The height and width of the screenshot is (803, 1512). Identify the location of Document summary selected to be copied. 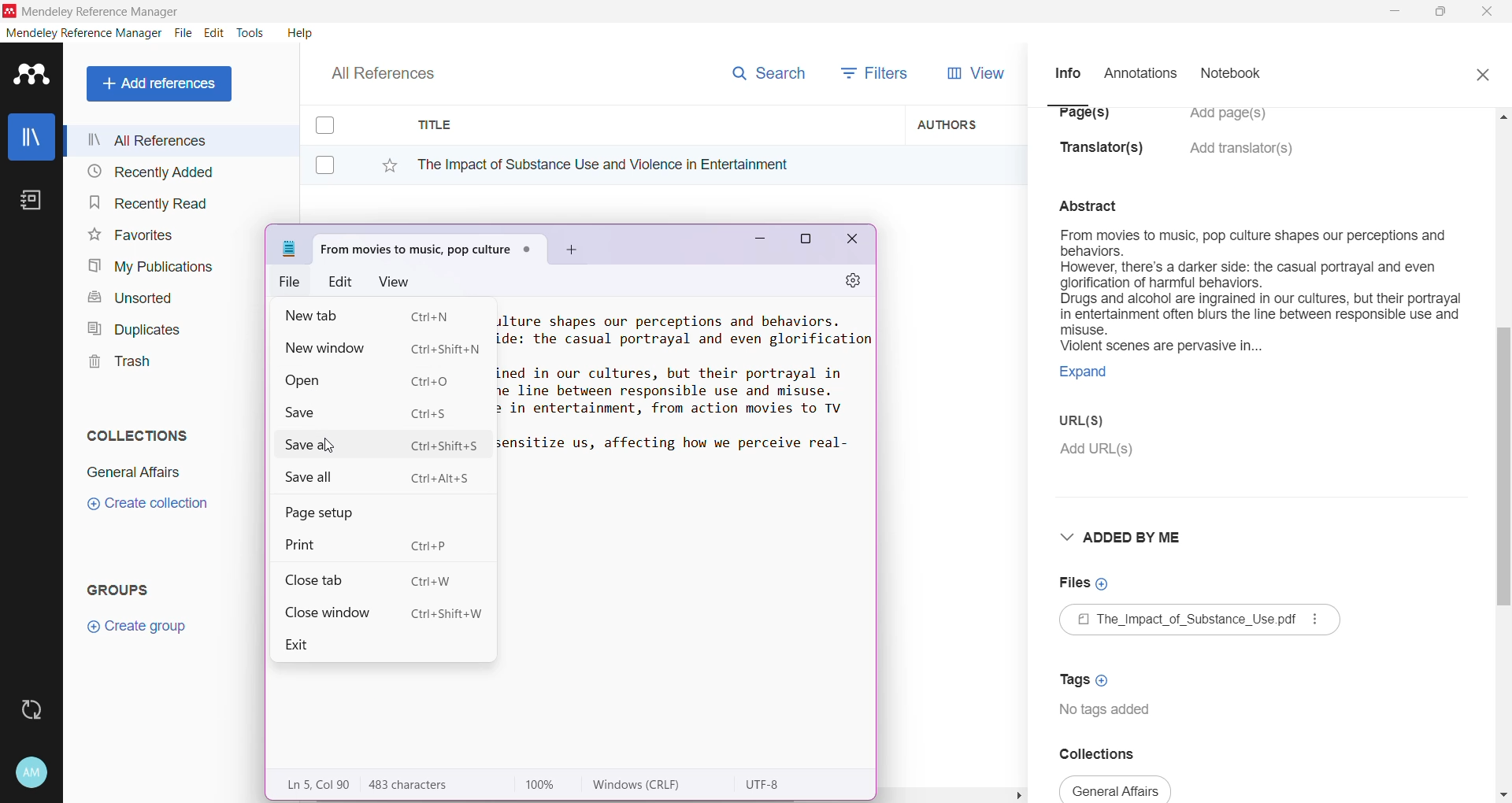
(1259, 313).